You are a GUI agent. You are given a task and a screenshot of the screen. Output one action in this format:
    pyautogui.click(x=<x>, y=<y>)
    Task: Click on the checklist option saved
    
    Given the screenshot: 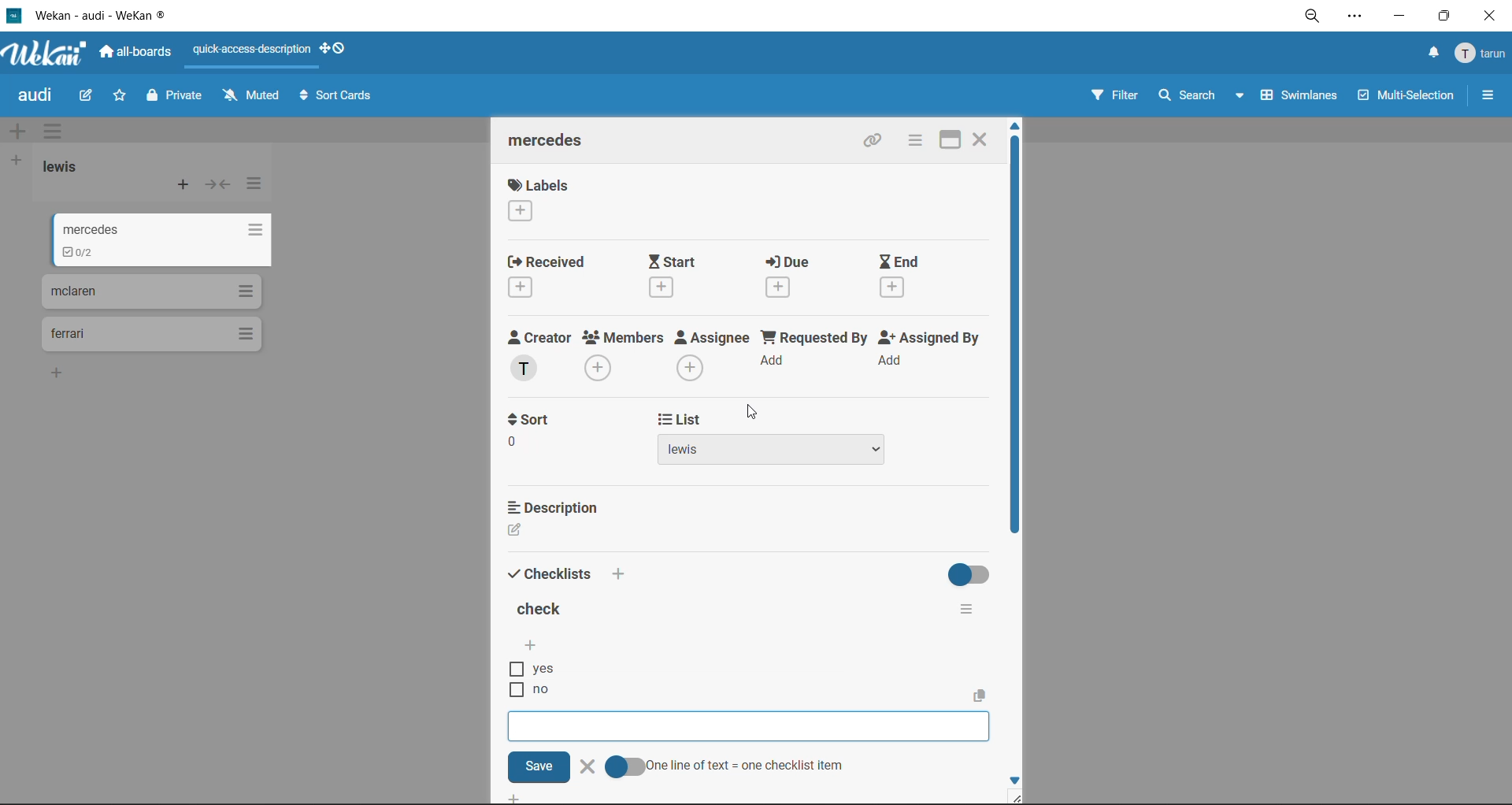 What is the action you would take?
    pyautogui.click(x=530, y=693)
    